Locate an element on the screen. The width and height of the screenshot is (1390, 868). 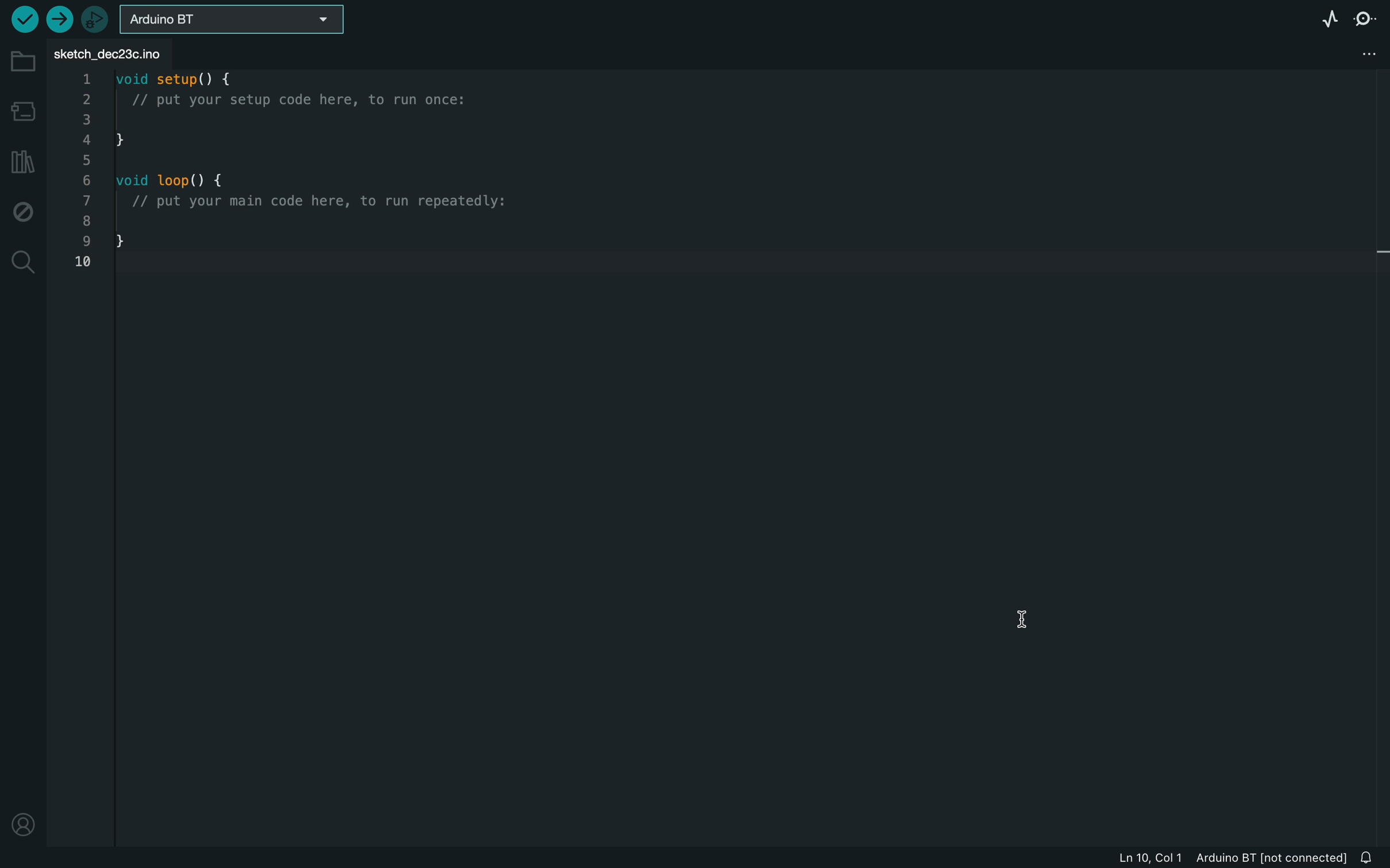
serial plotter is located at coordinates (1325, 18).